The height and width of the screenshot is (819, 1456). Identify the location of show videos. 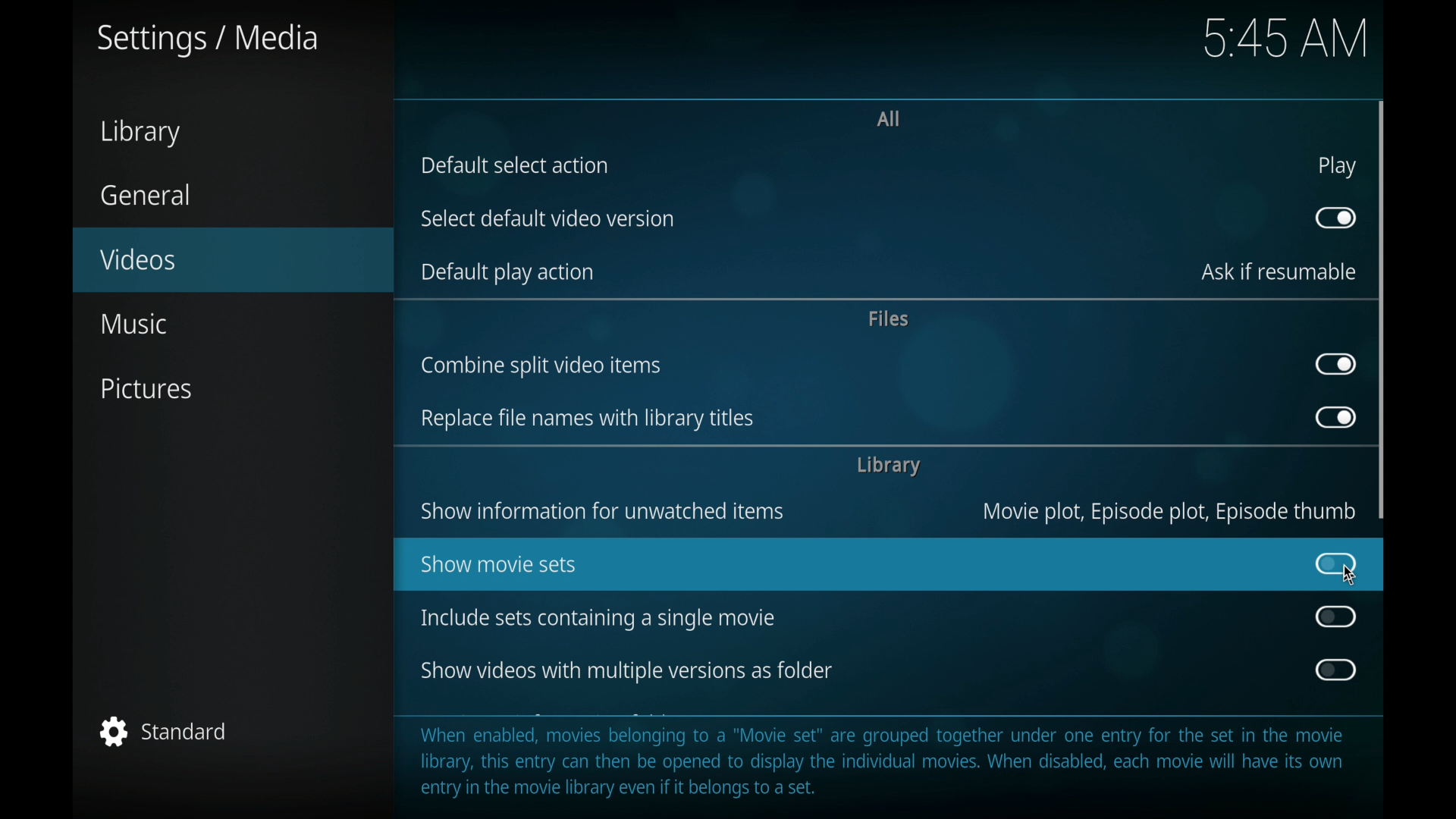
(626, 671).